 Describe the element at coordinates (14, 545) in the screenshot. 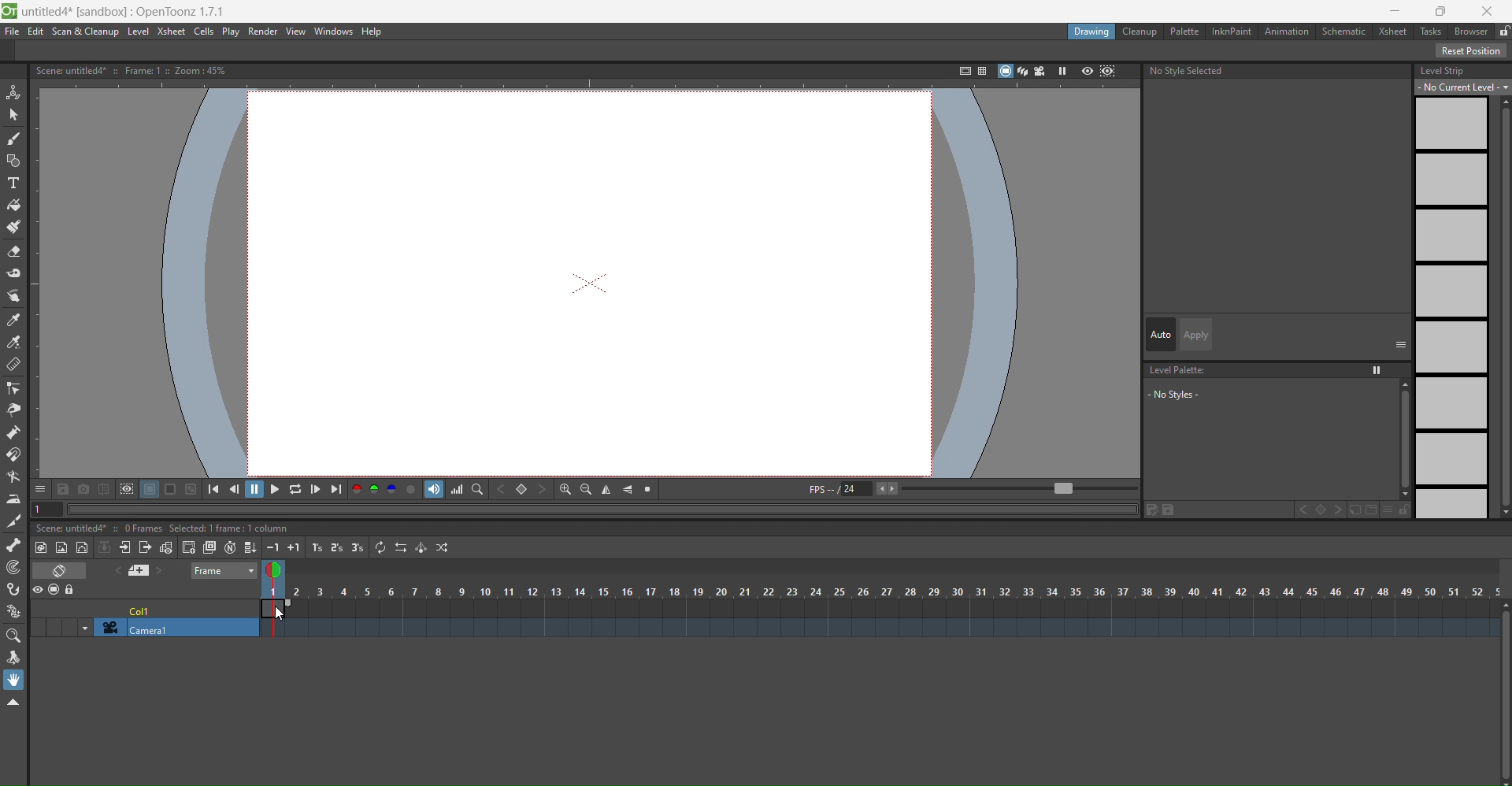

I see `skeleton tool` at that location.